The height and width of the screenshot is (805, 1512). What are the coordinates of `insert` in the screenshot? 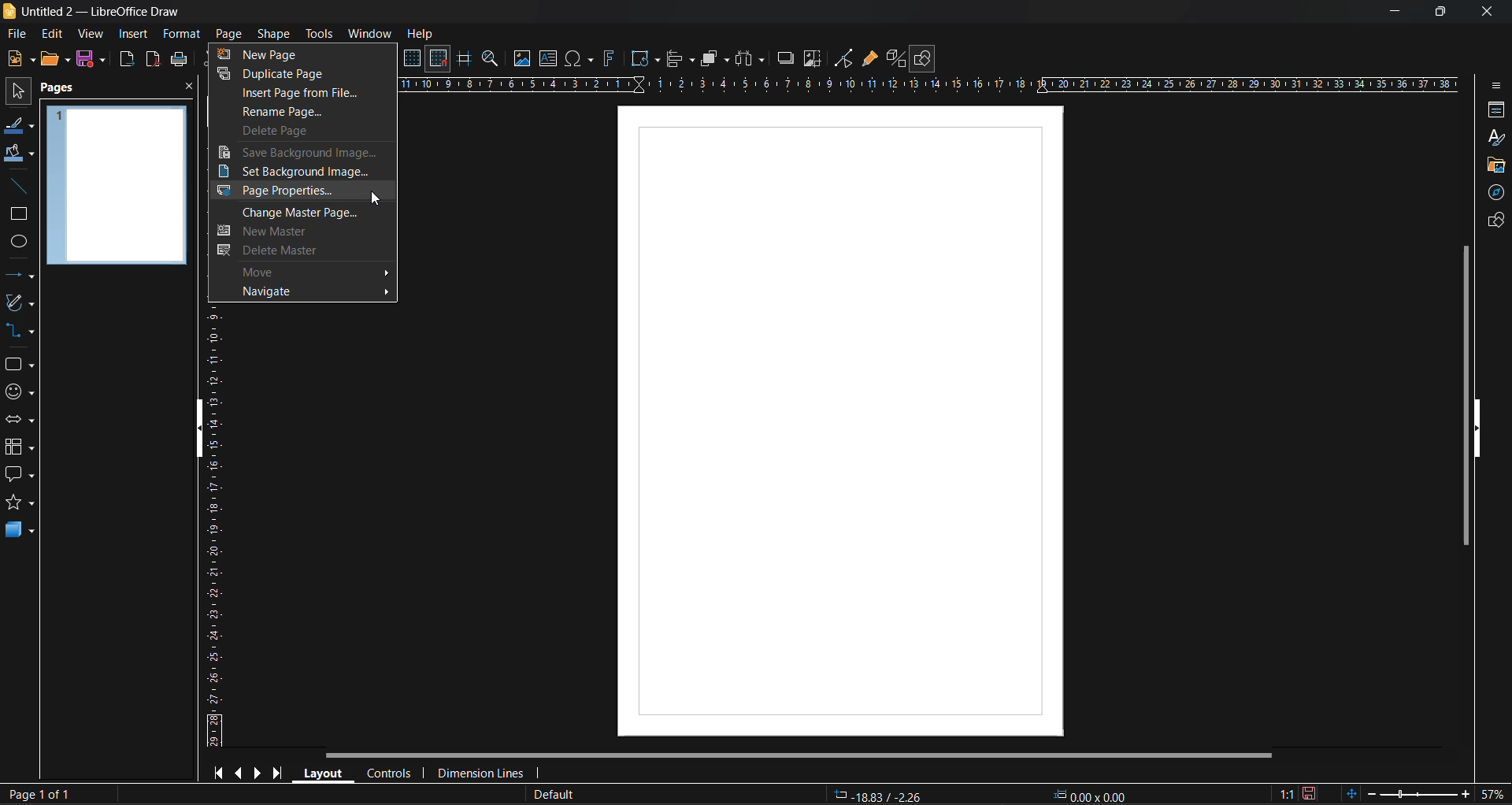 It's located at (135, 32).